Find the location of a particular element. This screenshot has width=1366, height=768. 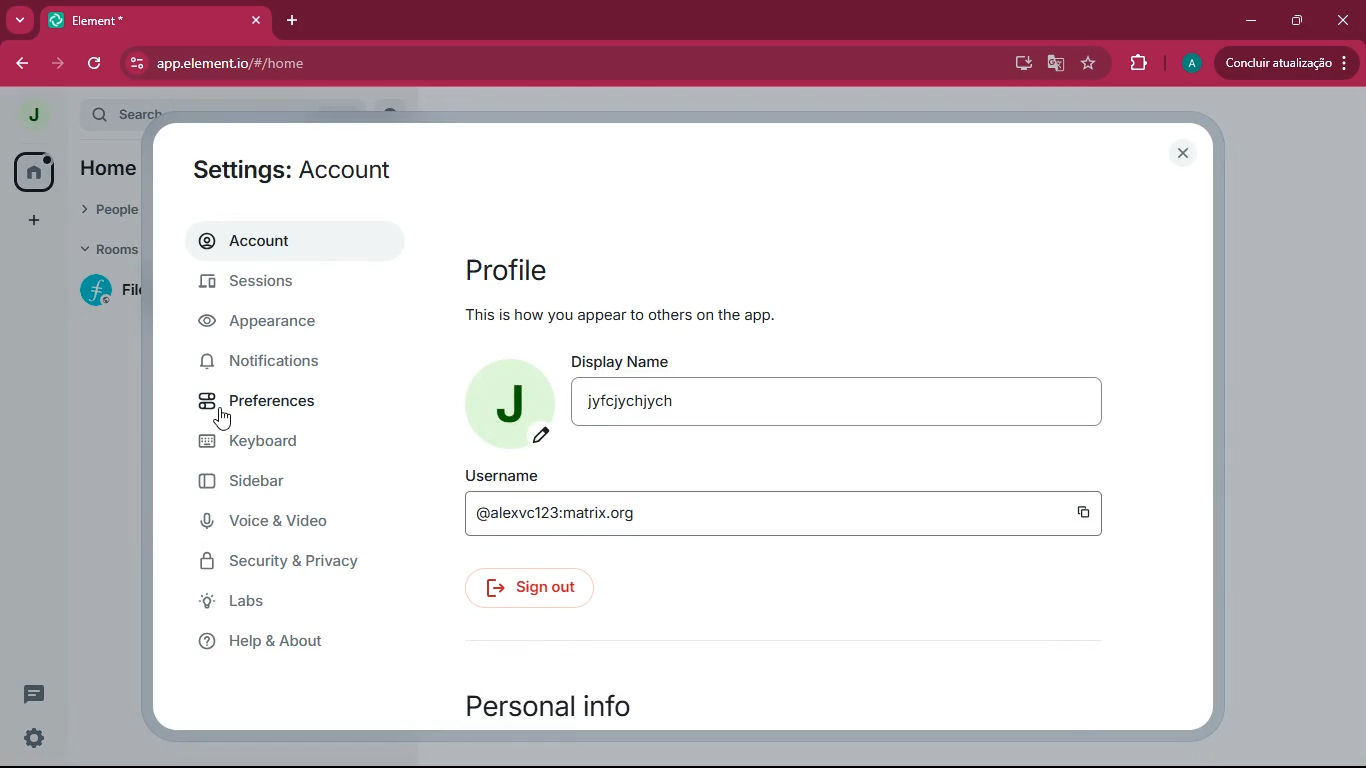

more is located at coordinates (19, 20).